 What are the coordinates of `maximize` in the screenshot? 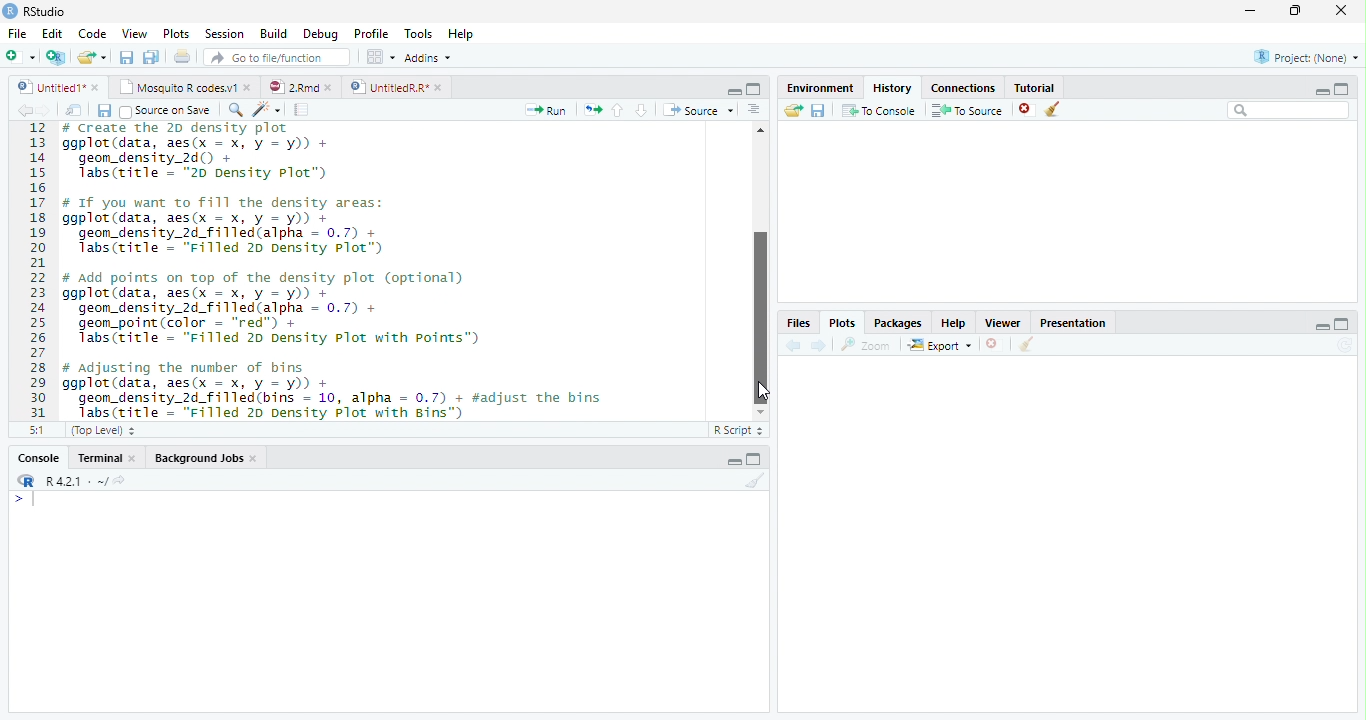 It's located at (756, 459).